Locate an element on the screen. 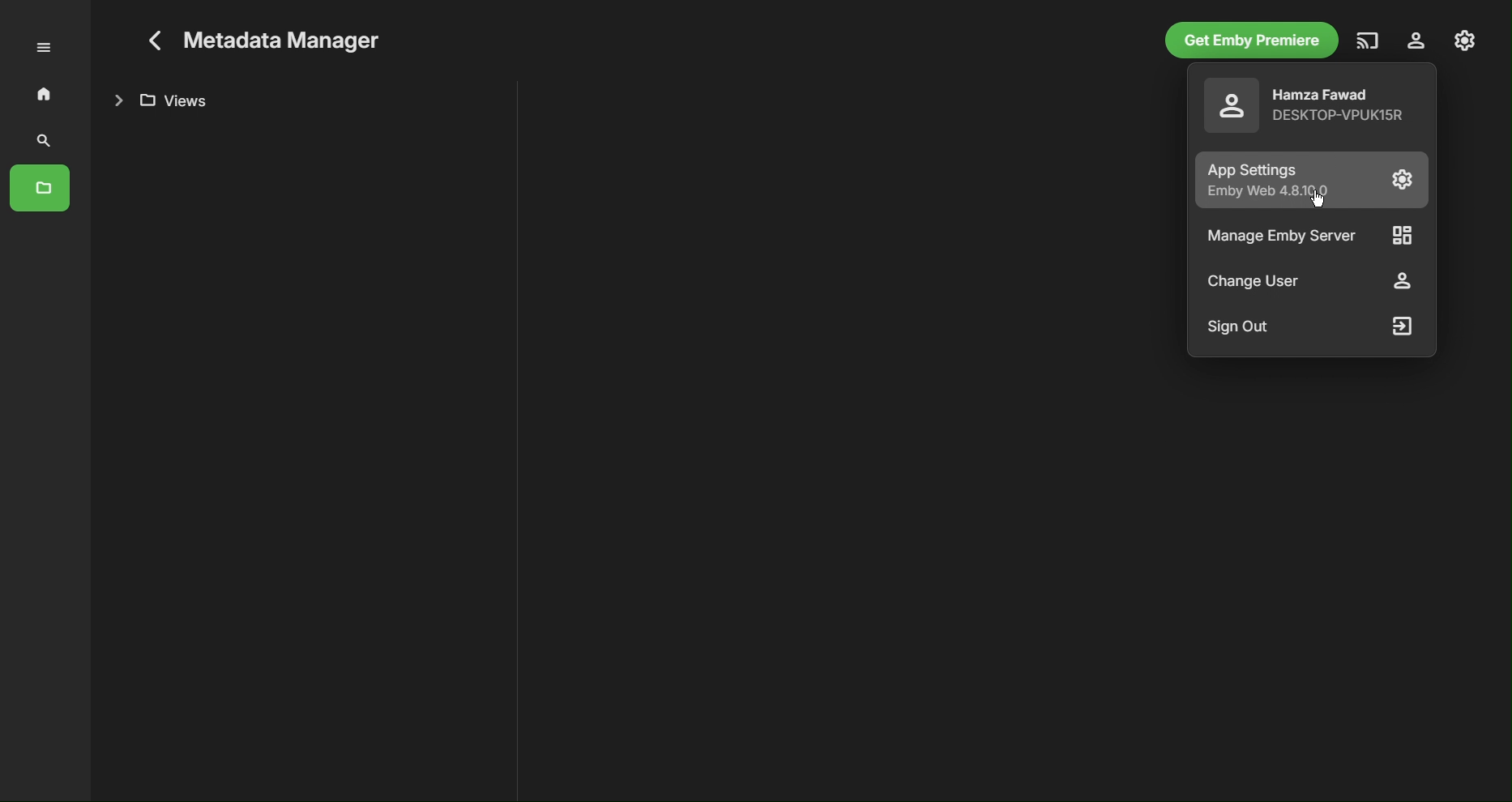 Image resolution: width=1512 pixels, height=802 pixels. App Settings is located at coordinates (1313, 181).